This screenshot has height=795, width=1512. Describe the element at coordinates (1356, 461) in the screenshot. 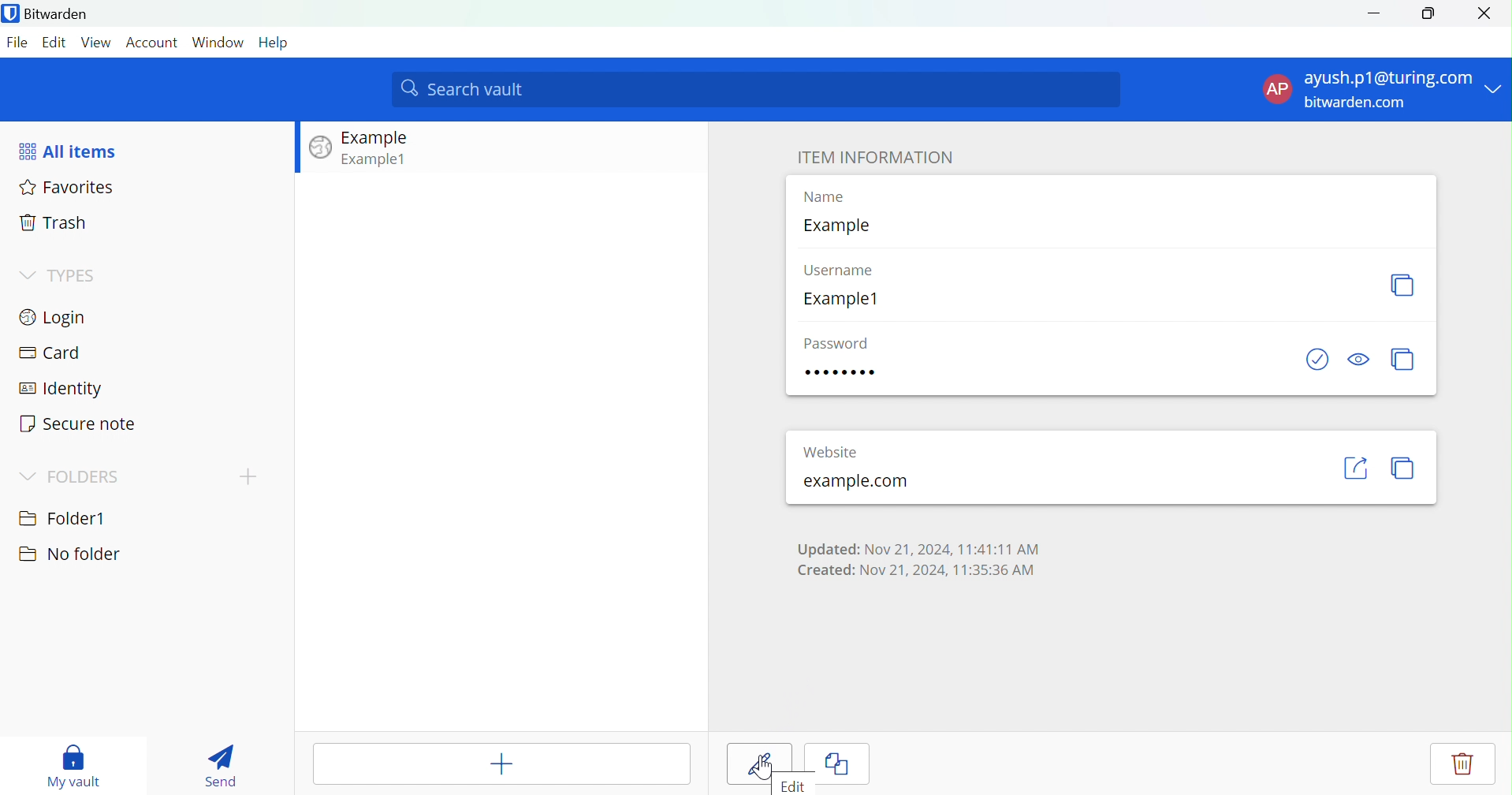

I see `«` at that location.